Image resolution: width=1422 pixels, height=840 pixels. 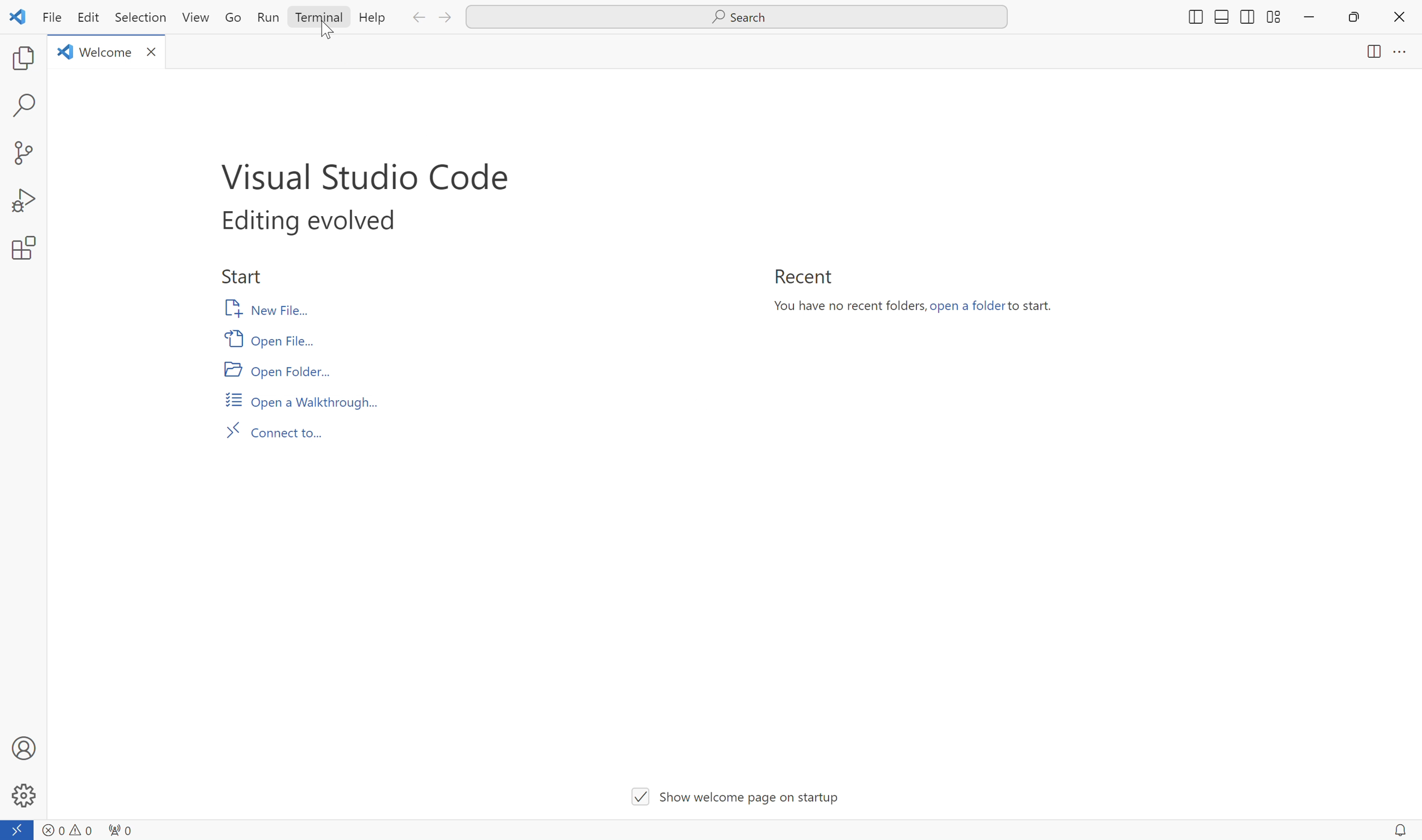 What do you see at coordinates (301, 400) in the screenshot?
I see `Open a Walkthrough...` at bounding box center [301, 400].